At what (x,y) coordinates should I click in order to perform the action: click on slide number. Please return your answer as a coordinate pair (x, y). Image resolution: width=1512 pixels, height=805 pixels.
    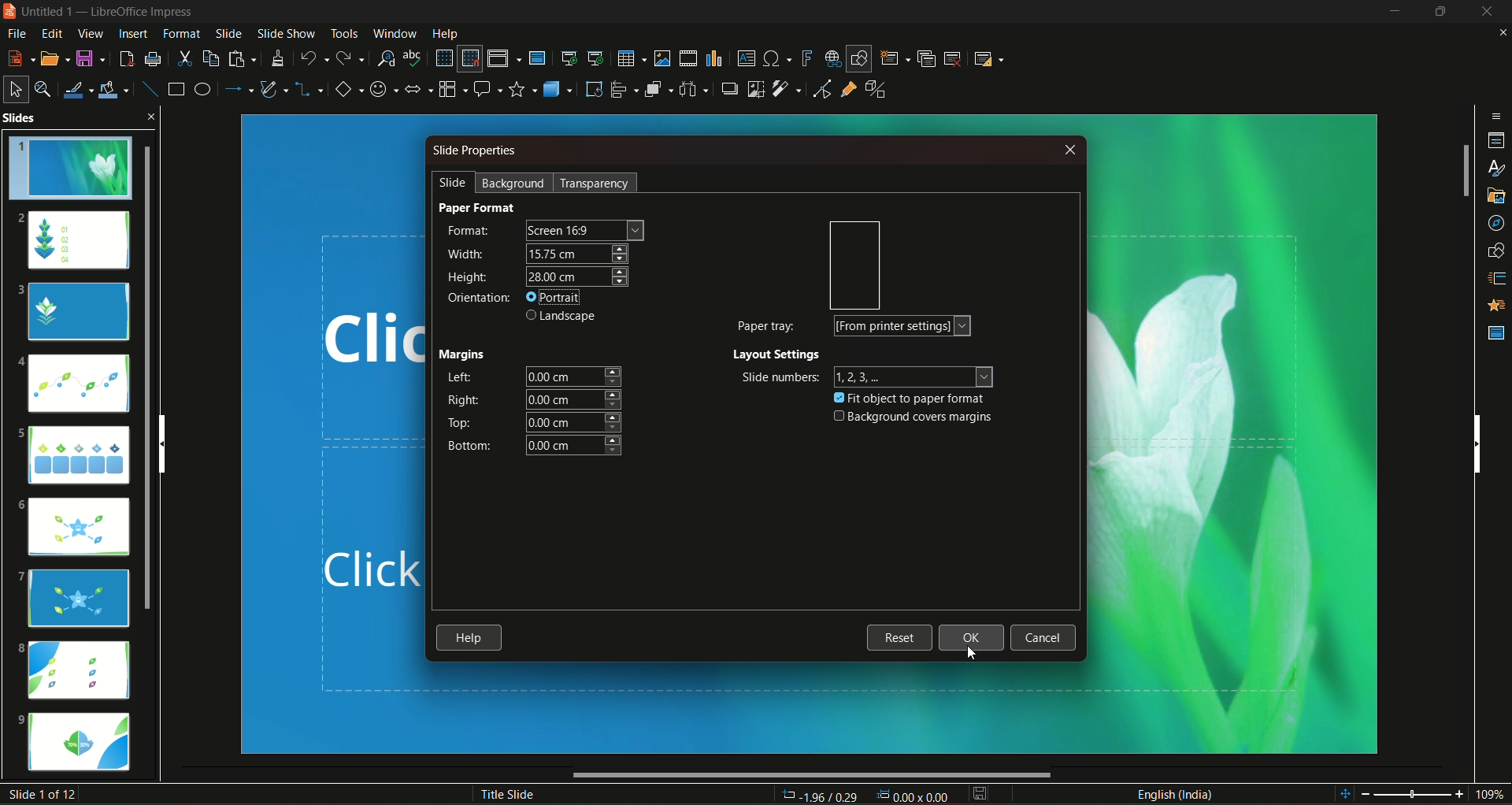
    Looking at the image, I should click on (46, 794).